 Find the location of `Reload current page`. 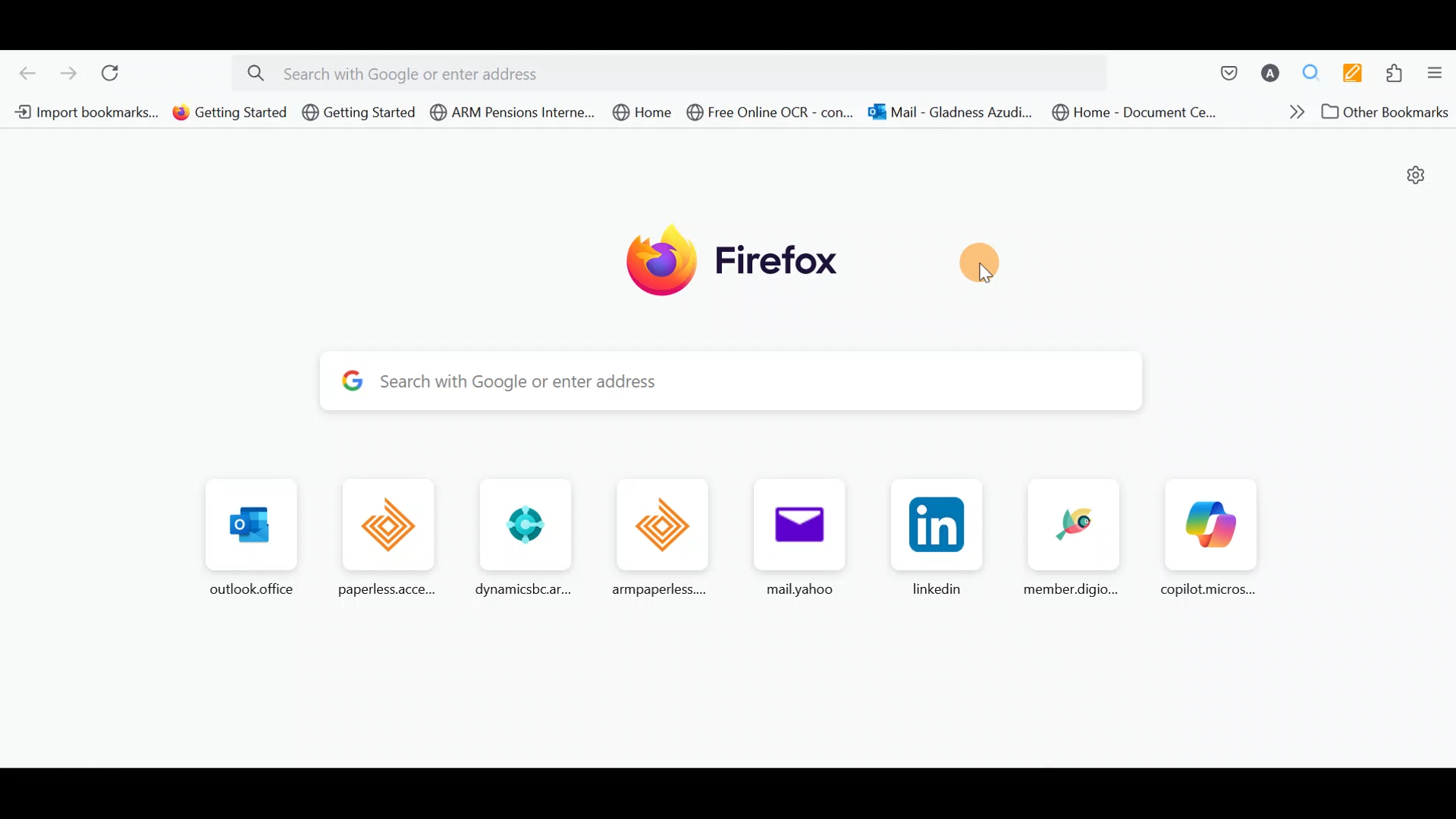

Reload current page is located at coordinates (115, 71).